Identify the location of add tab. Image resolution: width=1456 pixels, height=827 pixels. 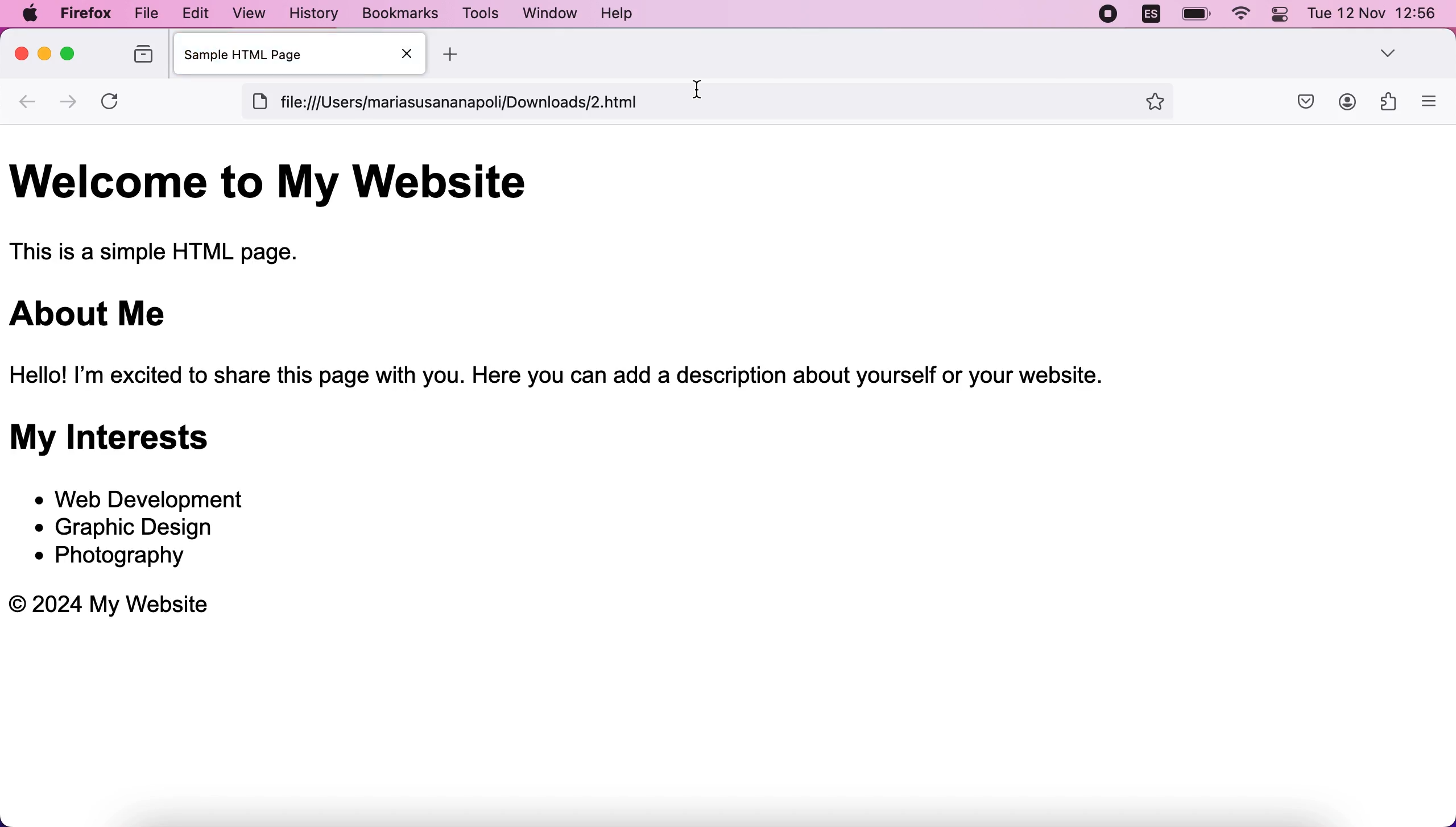
(470, 54).